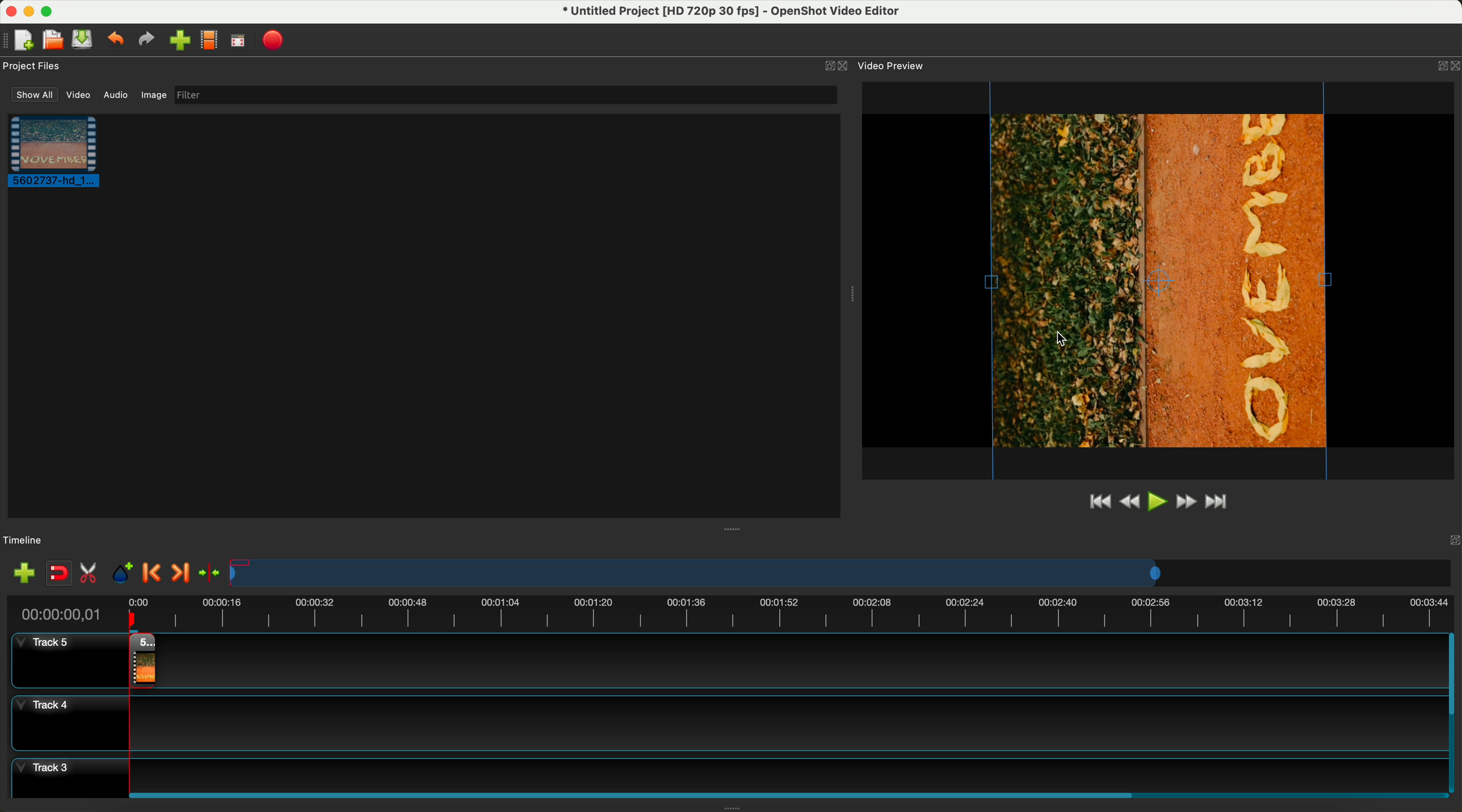 This screenshot has height=812, width=1462. Describe the element at coordinates (62, 660) in the screenshot. I see `track 5` at that location.